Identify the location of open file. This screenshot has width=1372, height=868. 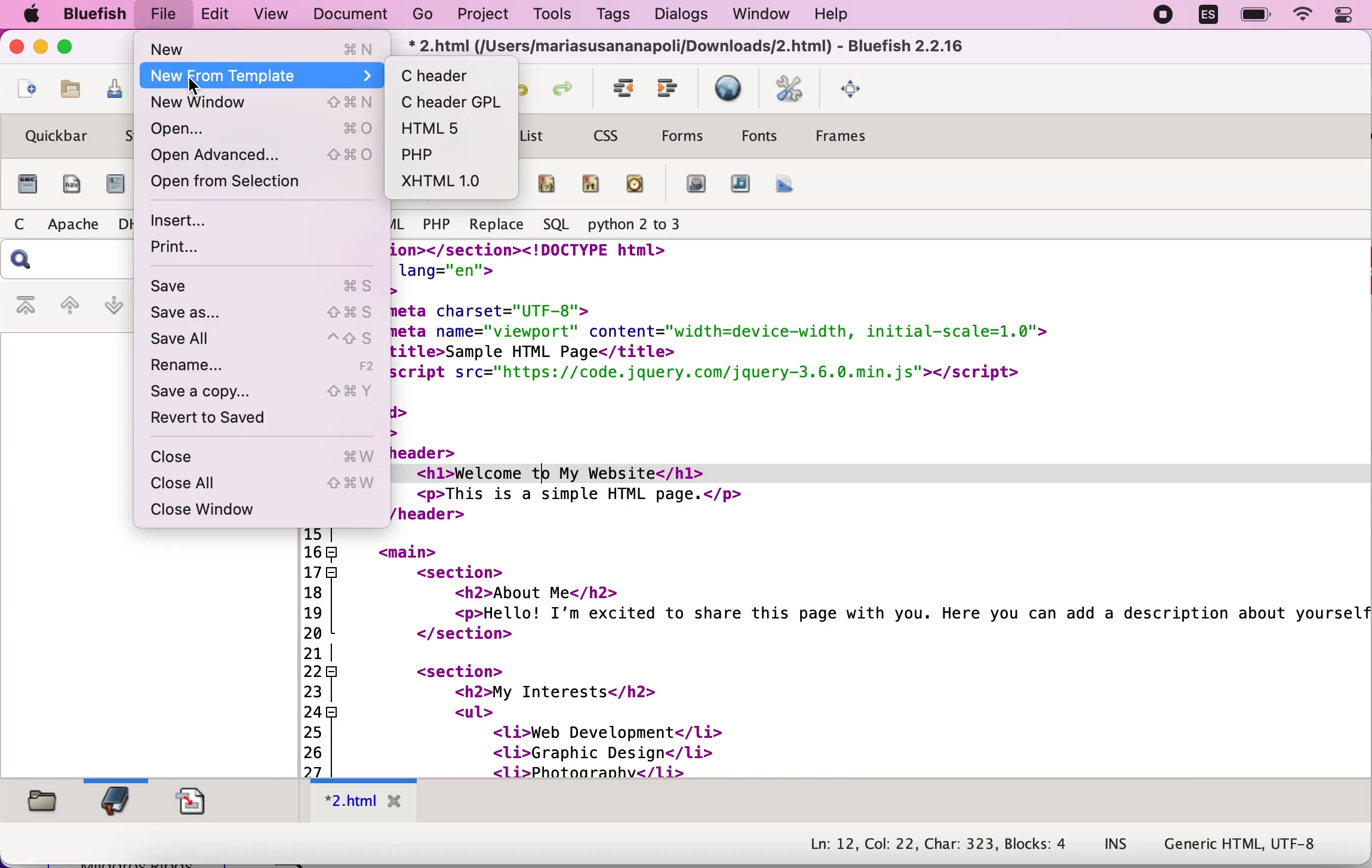
(67, 94).